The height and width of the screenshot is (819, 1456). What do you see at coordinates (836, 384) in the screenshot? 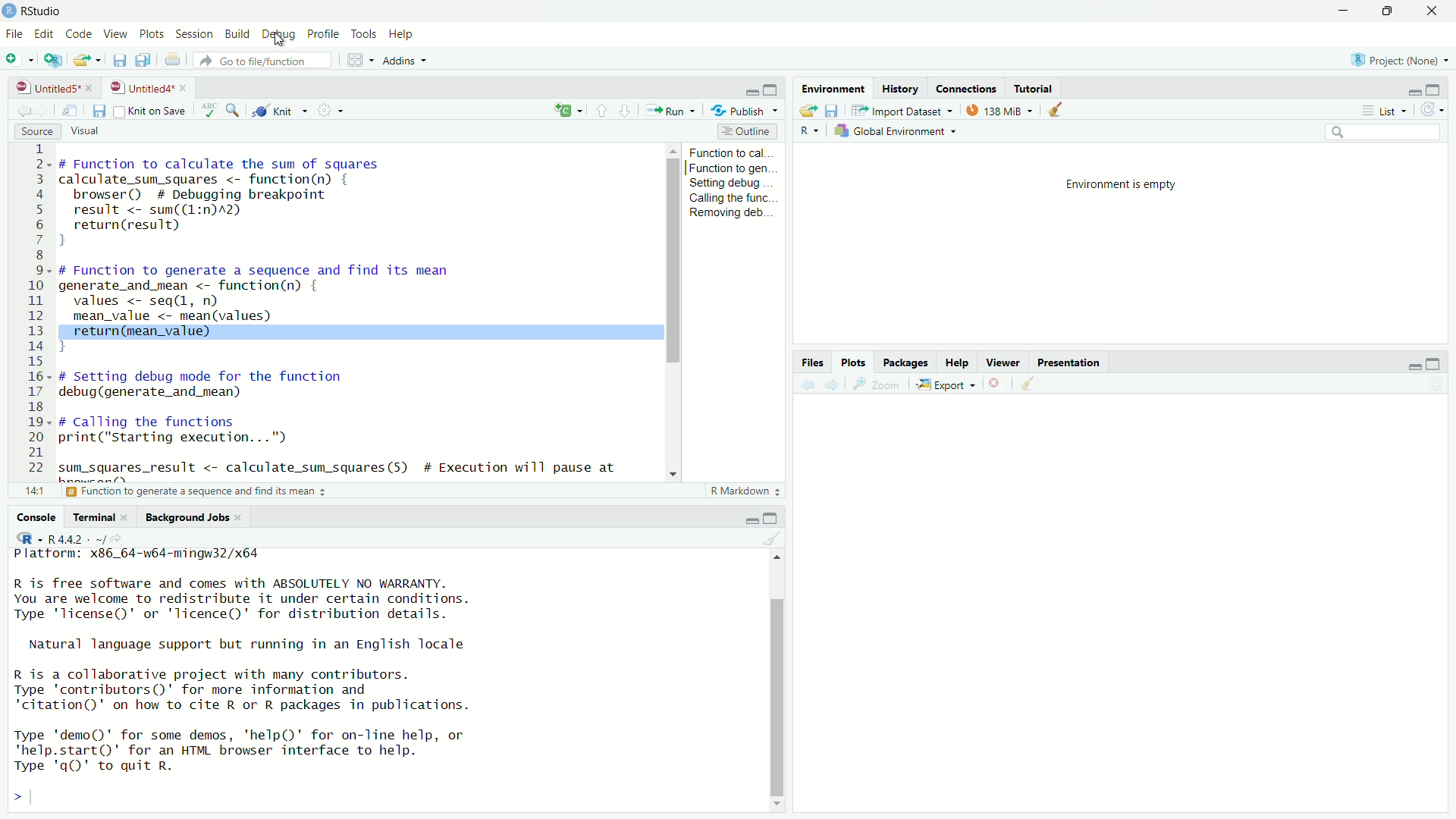
I see `next plot` at bounding box center [836, 384].